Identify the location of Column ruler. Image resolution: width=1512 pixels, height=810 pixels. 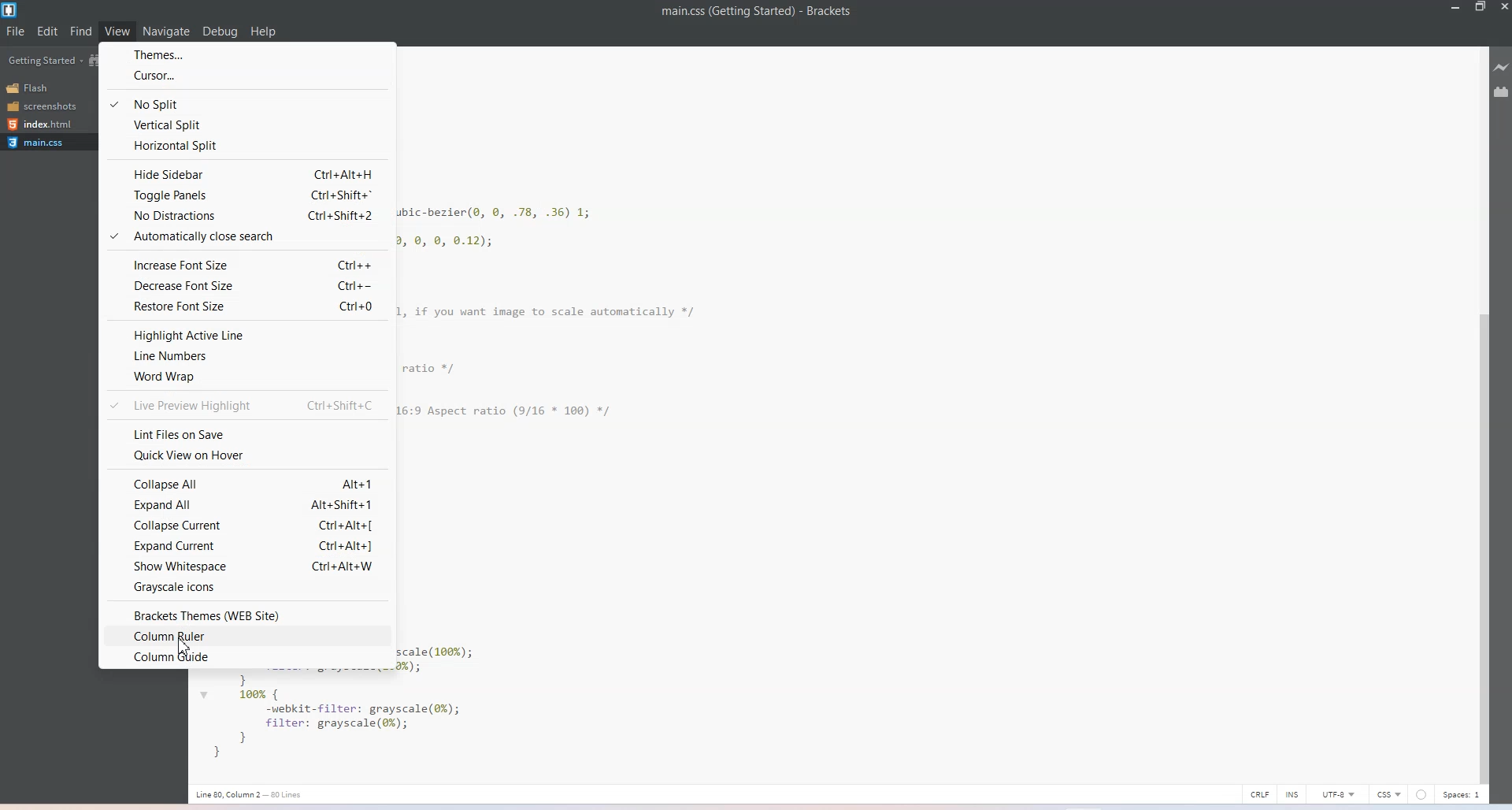
(246, 637).